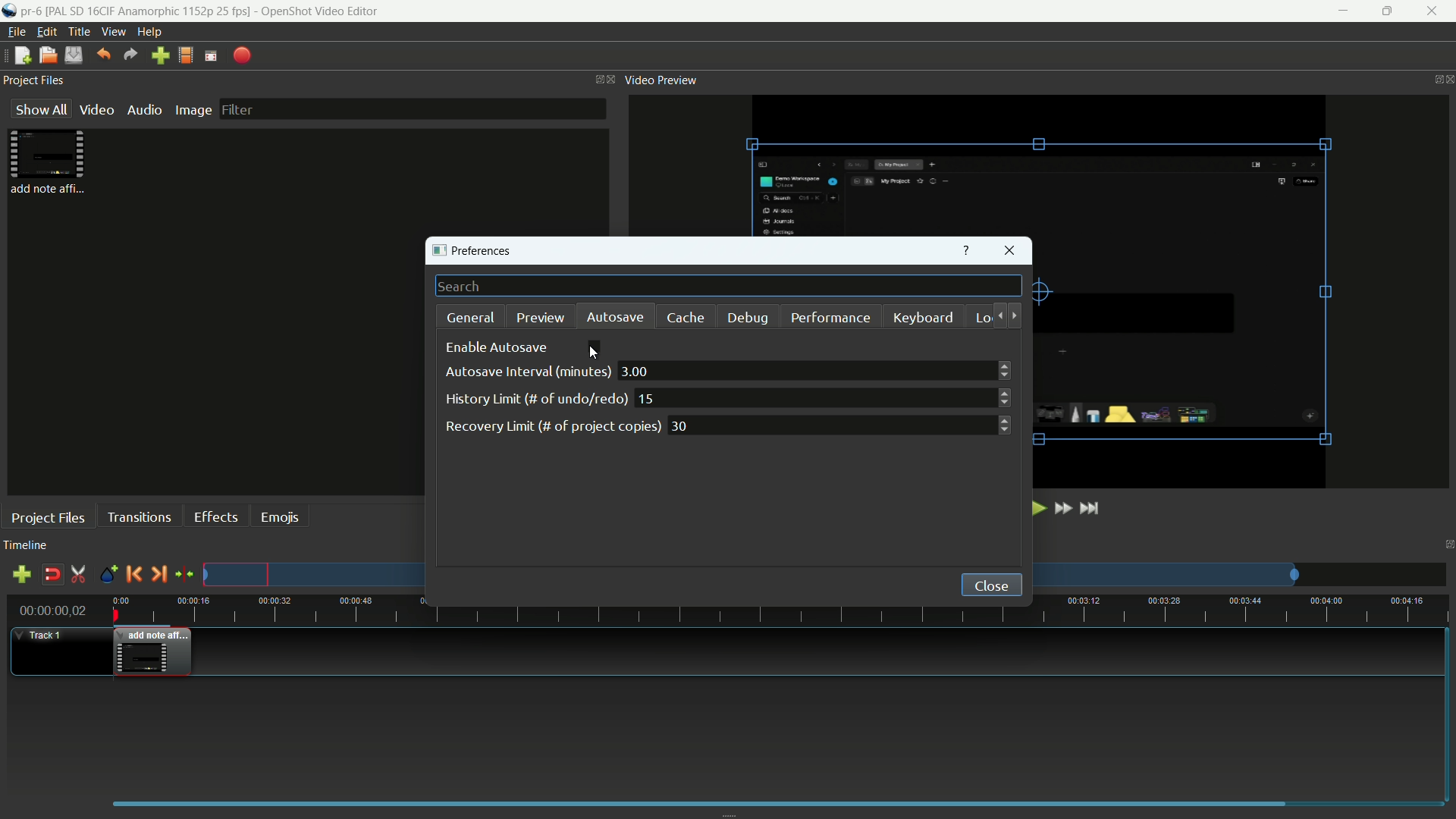 The height and width of the screenshot is (819, 1456). What do you see at coordinates (111, 32) in the screenshot?
I see `view menu` at bounding box center [111, 32].